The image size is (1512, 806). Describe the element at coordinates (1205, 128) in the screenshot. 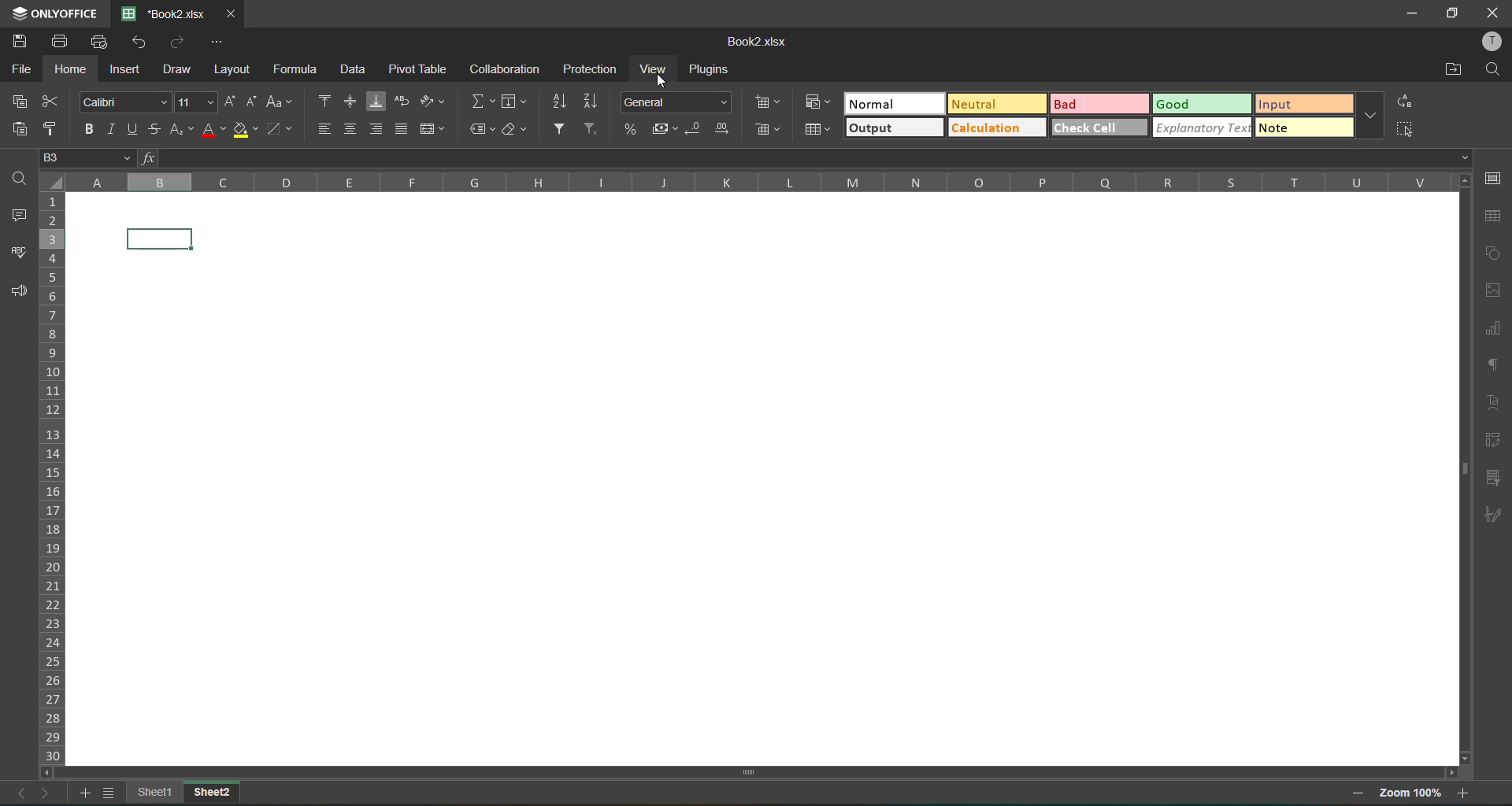

I see `explanatory text` at that location.